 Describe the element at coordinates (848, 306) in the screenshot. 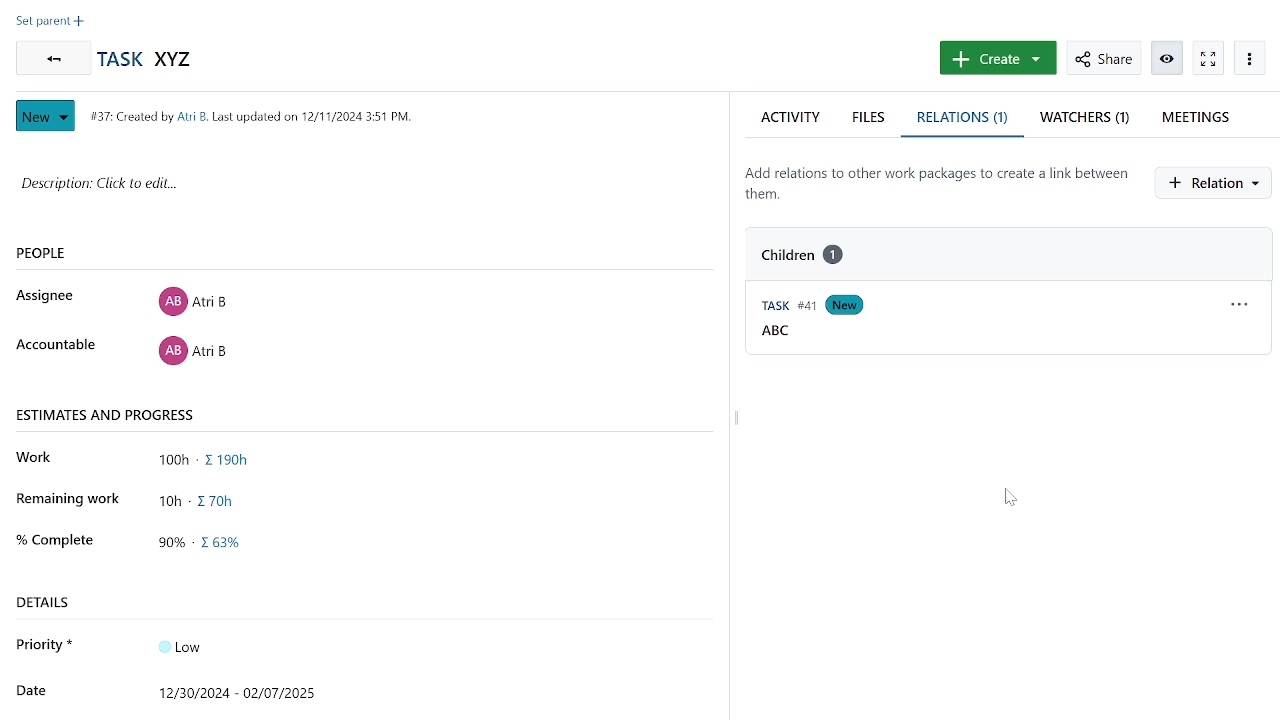

I see `new` at that location.